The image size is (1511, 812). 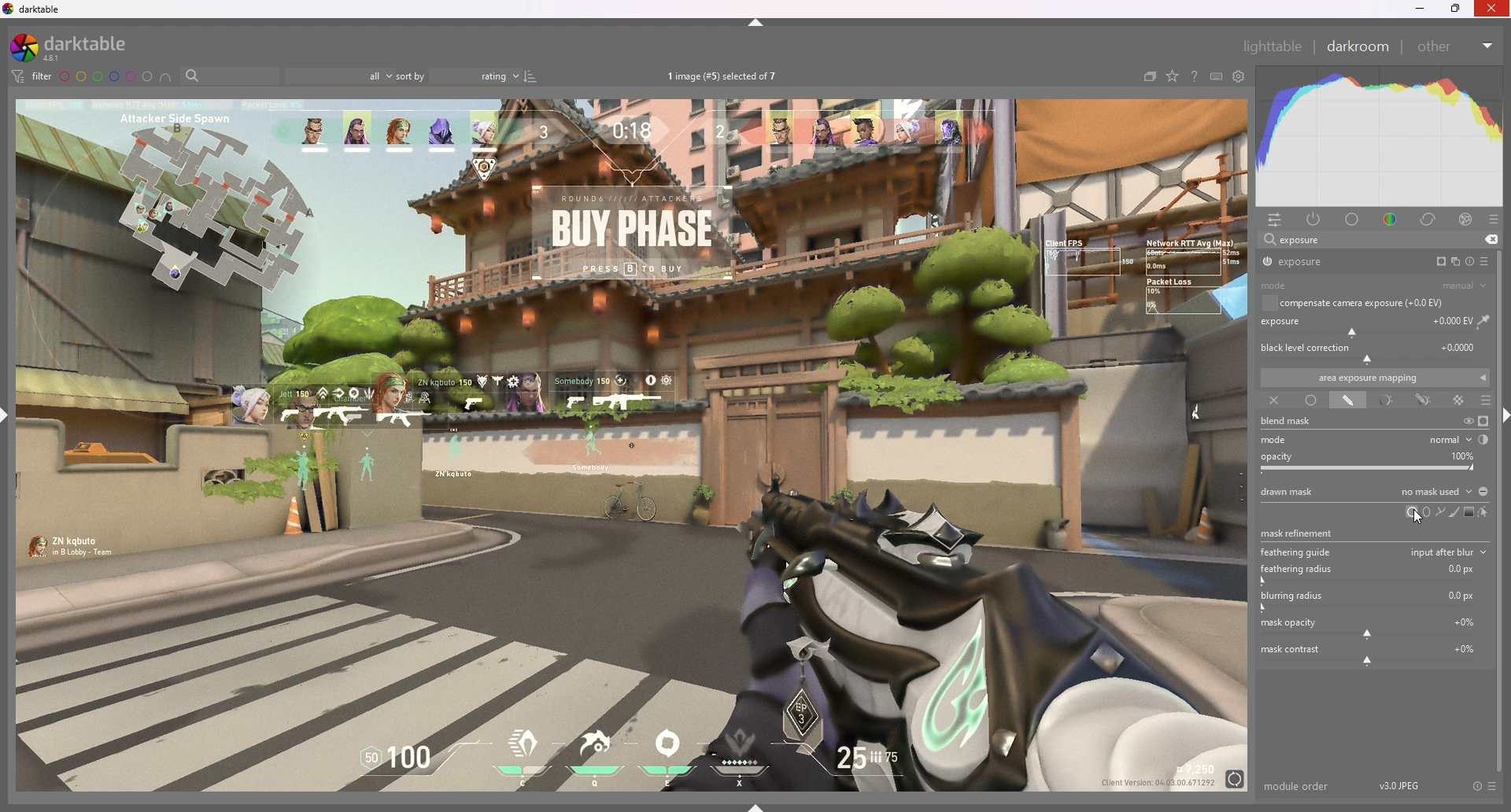 I want to click on images selected, so click(x=724, y=77).